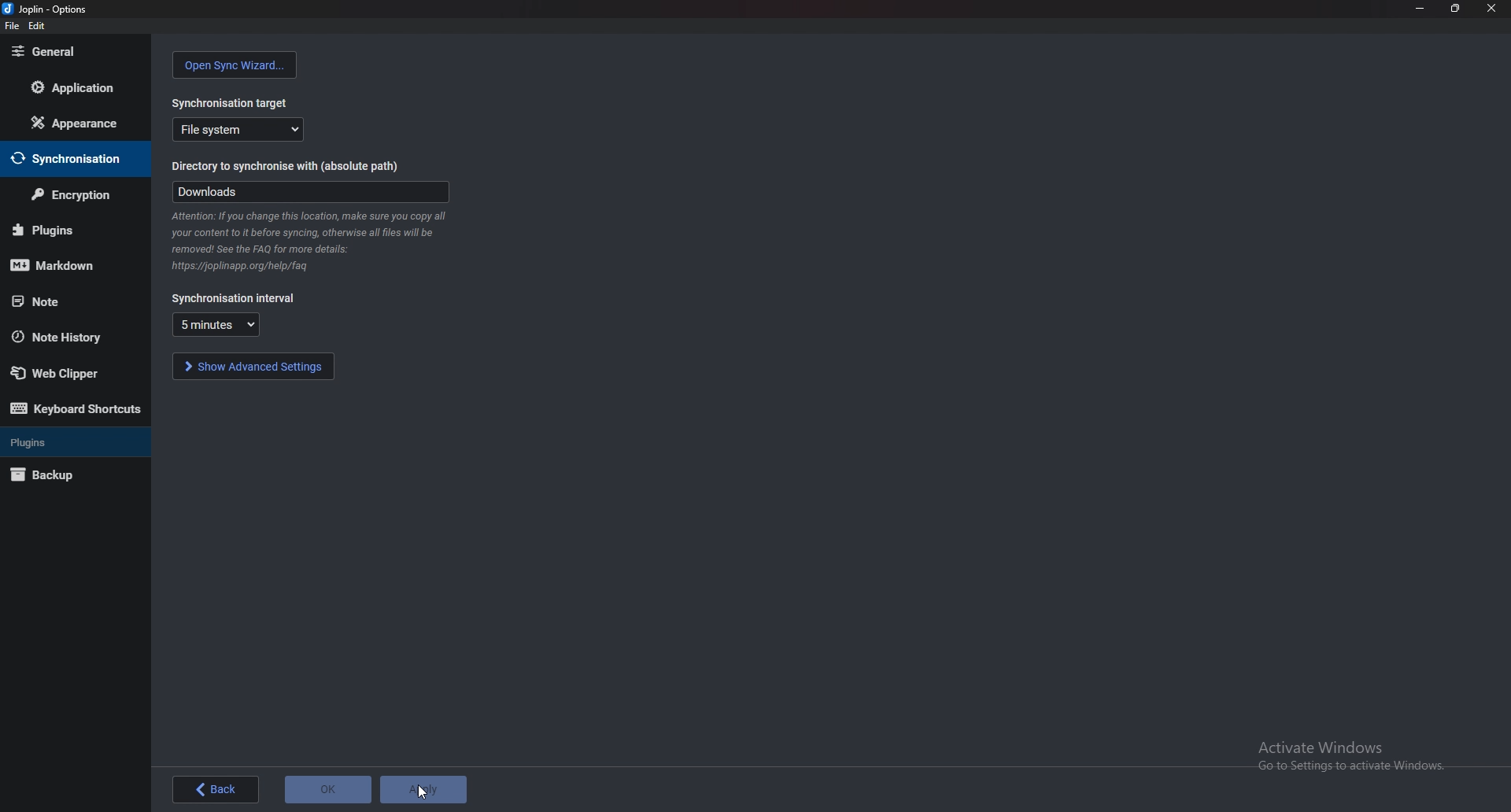  Describe the element at coordinates (71, 264) in the screenshot. I see `Mark down` at that location.